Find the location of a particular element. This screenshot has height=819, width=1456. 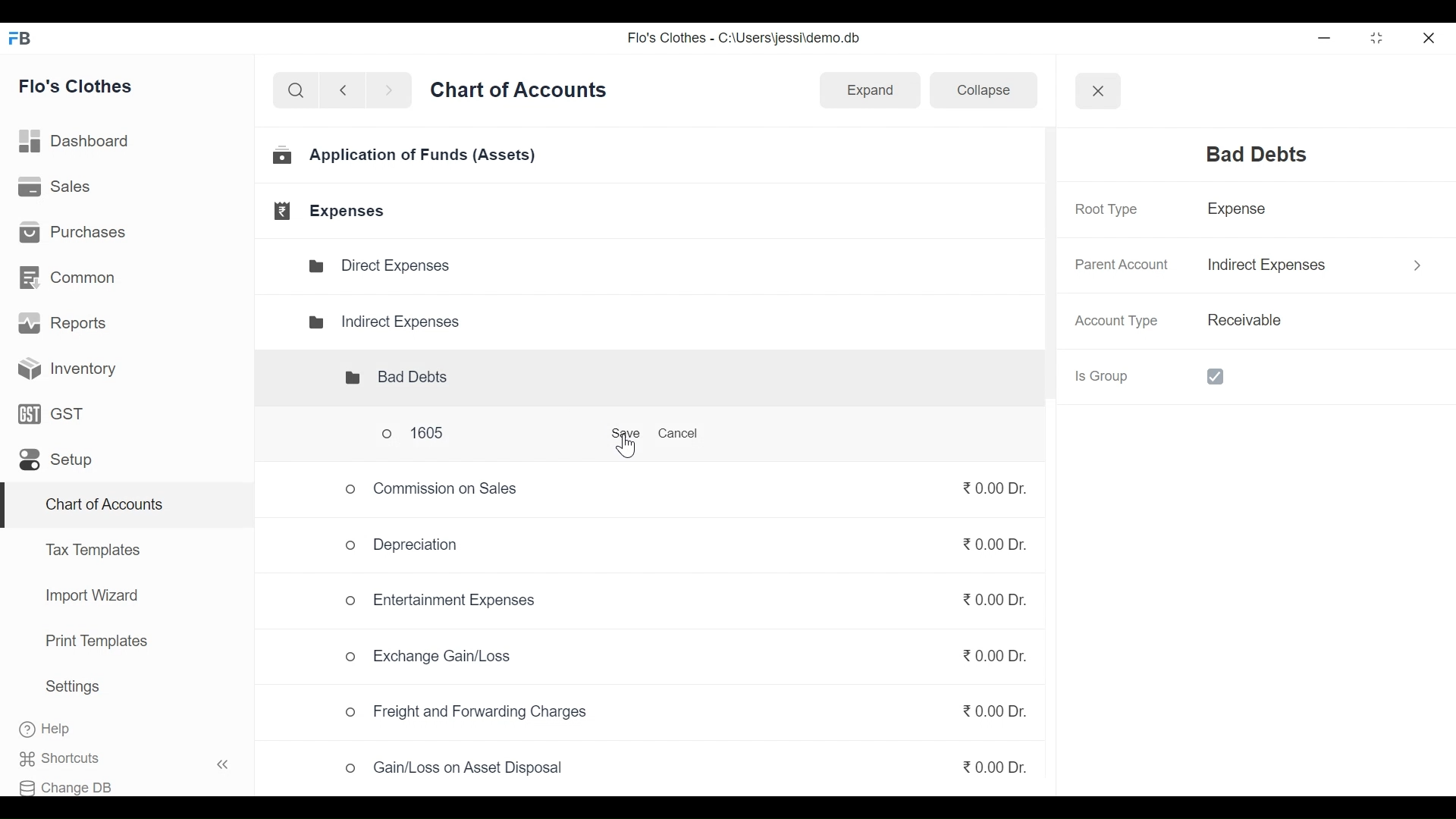

FB is located at coordinates (24, 42).